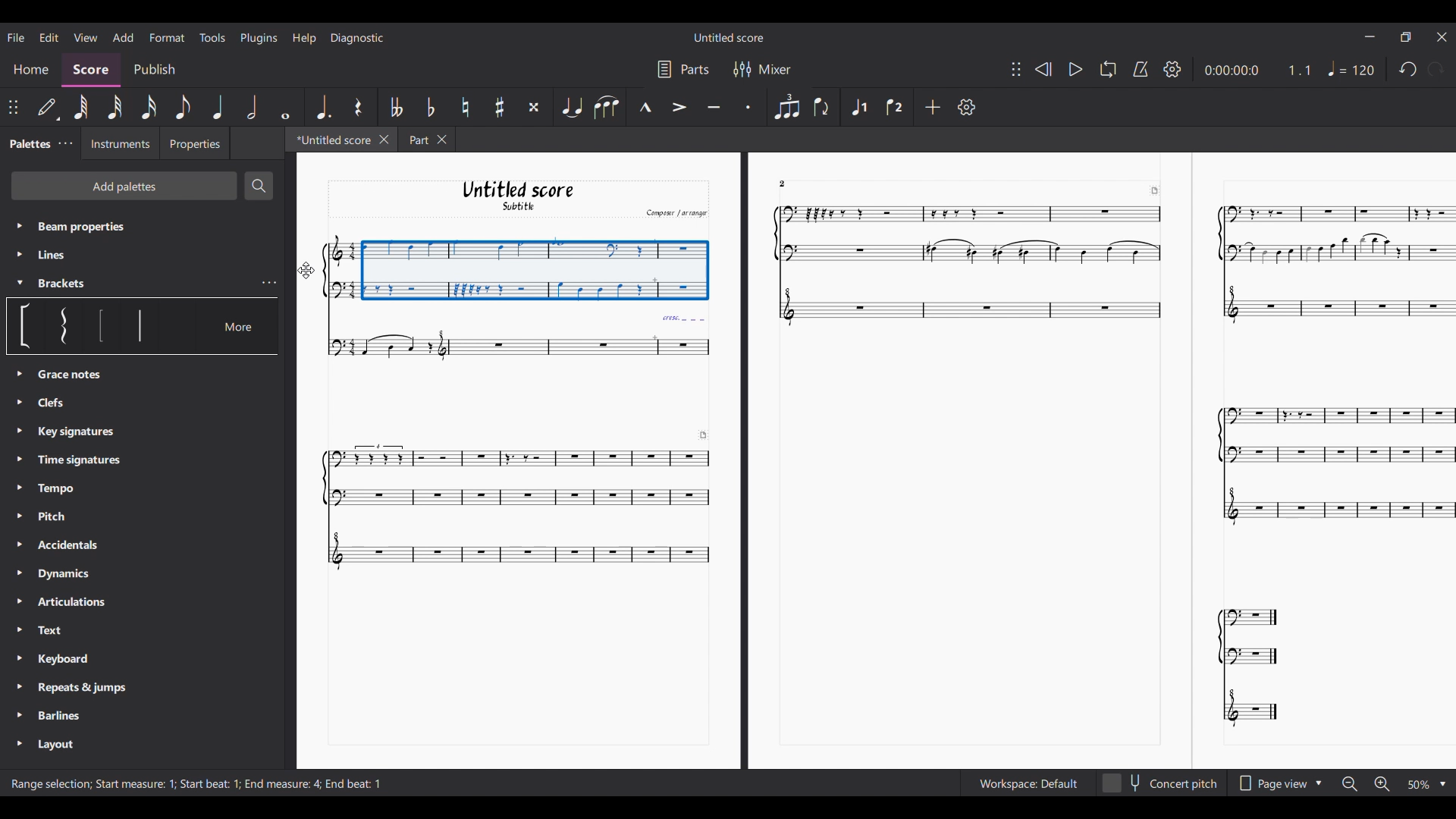  I want to click on Add, so click(932, 106).